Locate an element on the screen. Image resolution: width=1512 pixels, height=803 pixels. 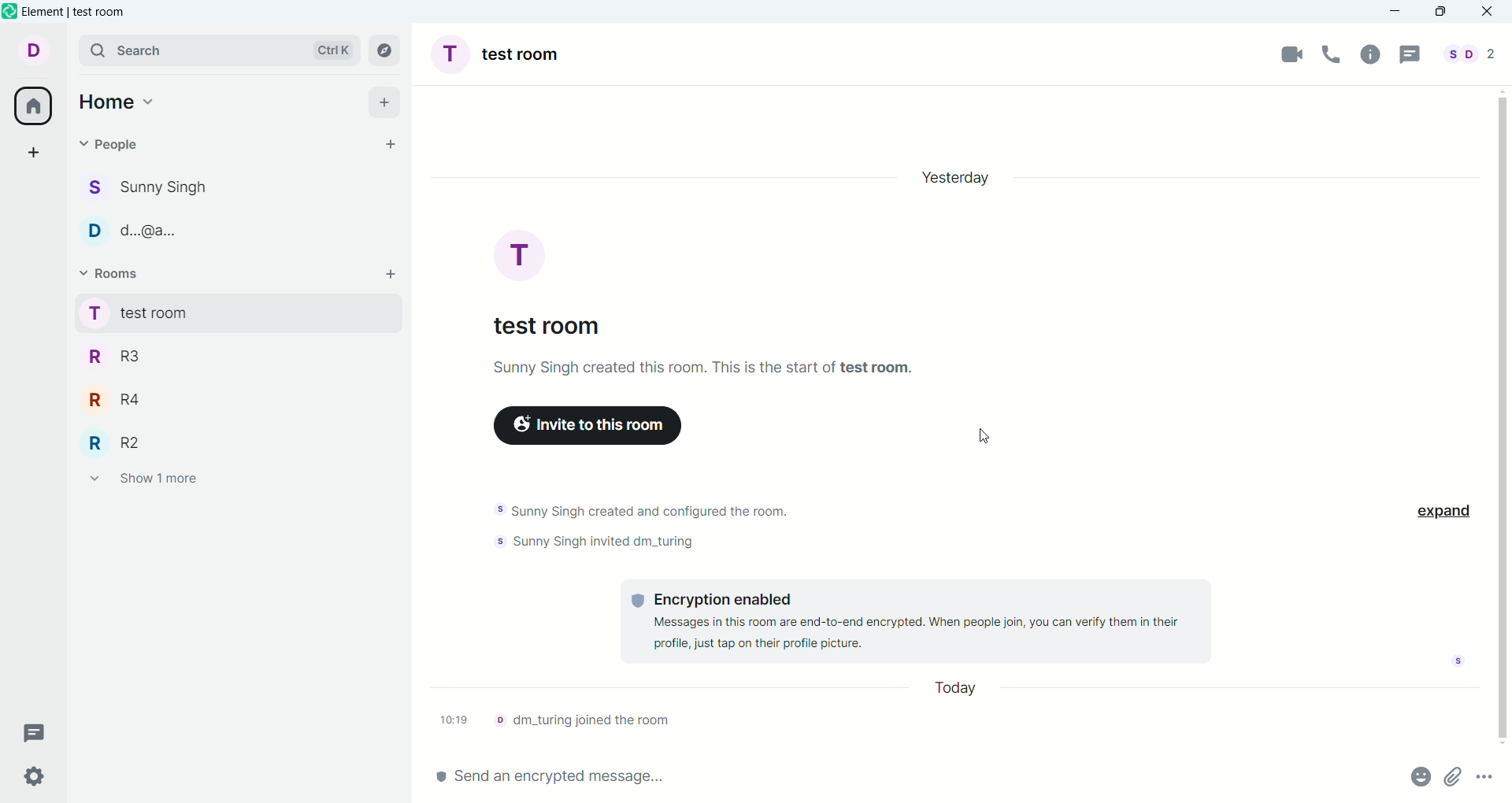
R2 is located at coordinates (235, 439).